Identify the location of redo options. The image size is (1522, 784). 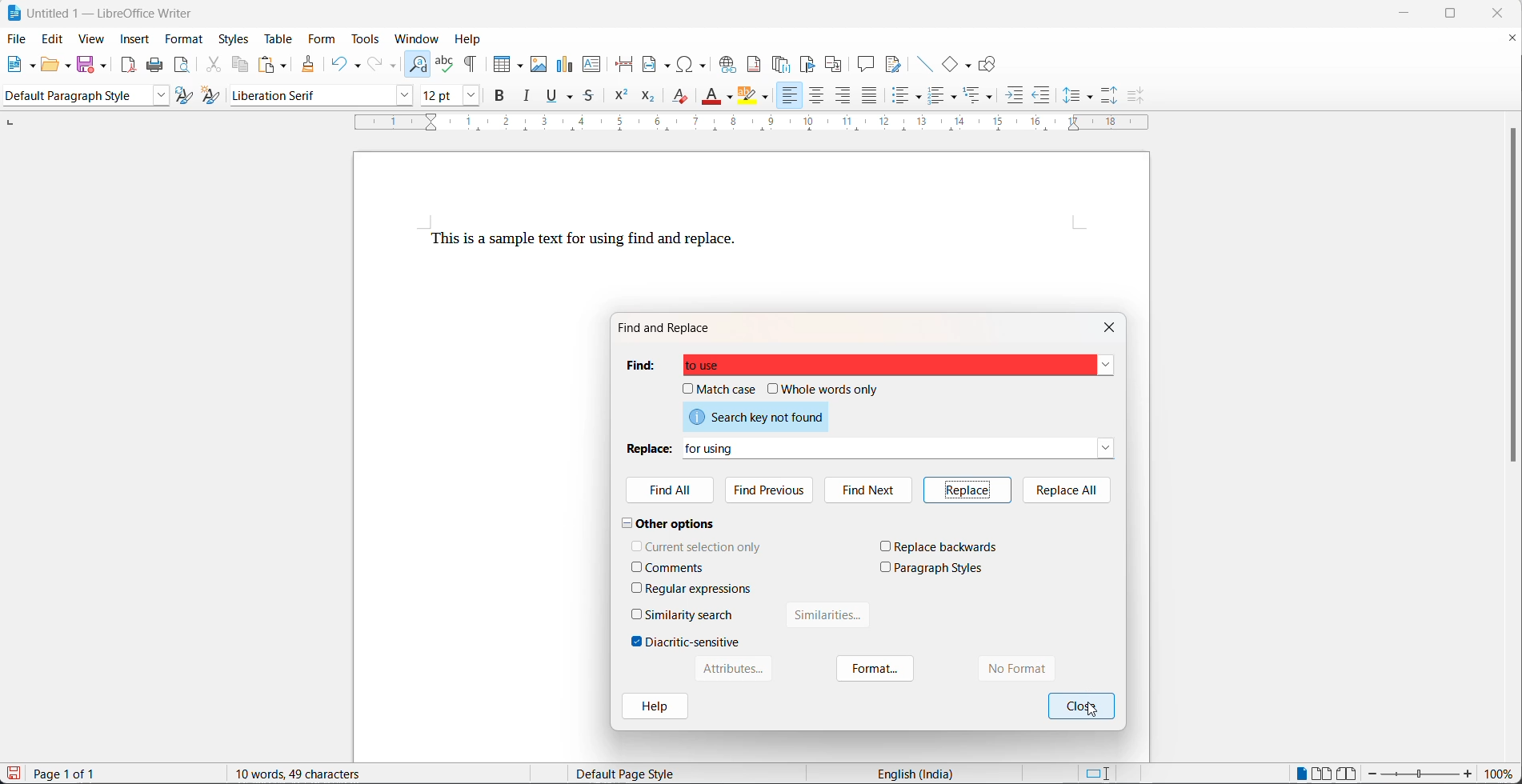
(394, 66).